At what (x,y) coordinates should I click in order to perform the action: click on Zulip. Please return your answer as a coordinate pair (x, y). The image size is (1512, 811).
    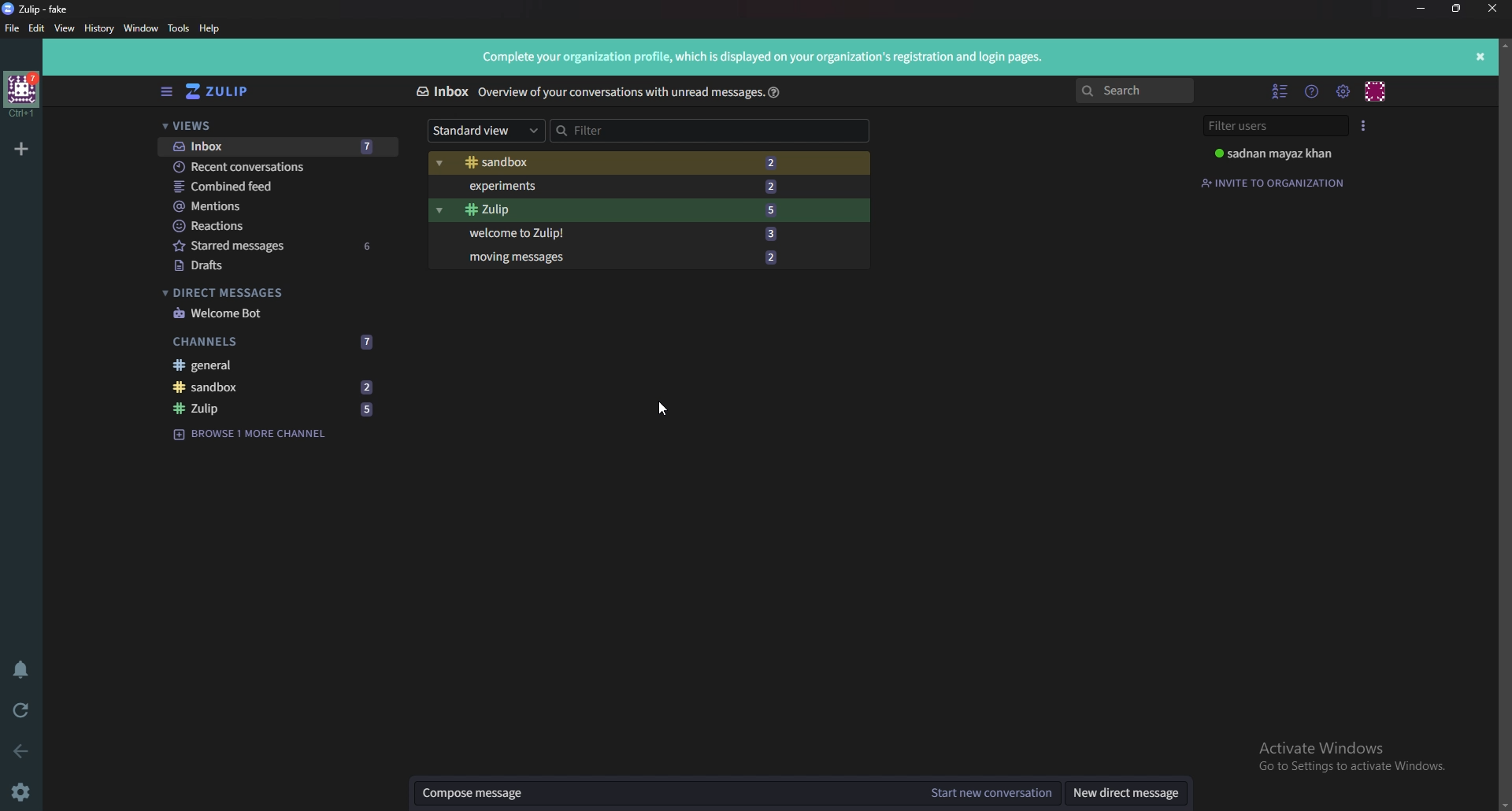
    Looking at the image, I should click on (276, 410).